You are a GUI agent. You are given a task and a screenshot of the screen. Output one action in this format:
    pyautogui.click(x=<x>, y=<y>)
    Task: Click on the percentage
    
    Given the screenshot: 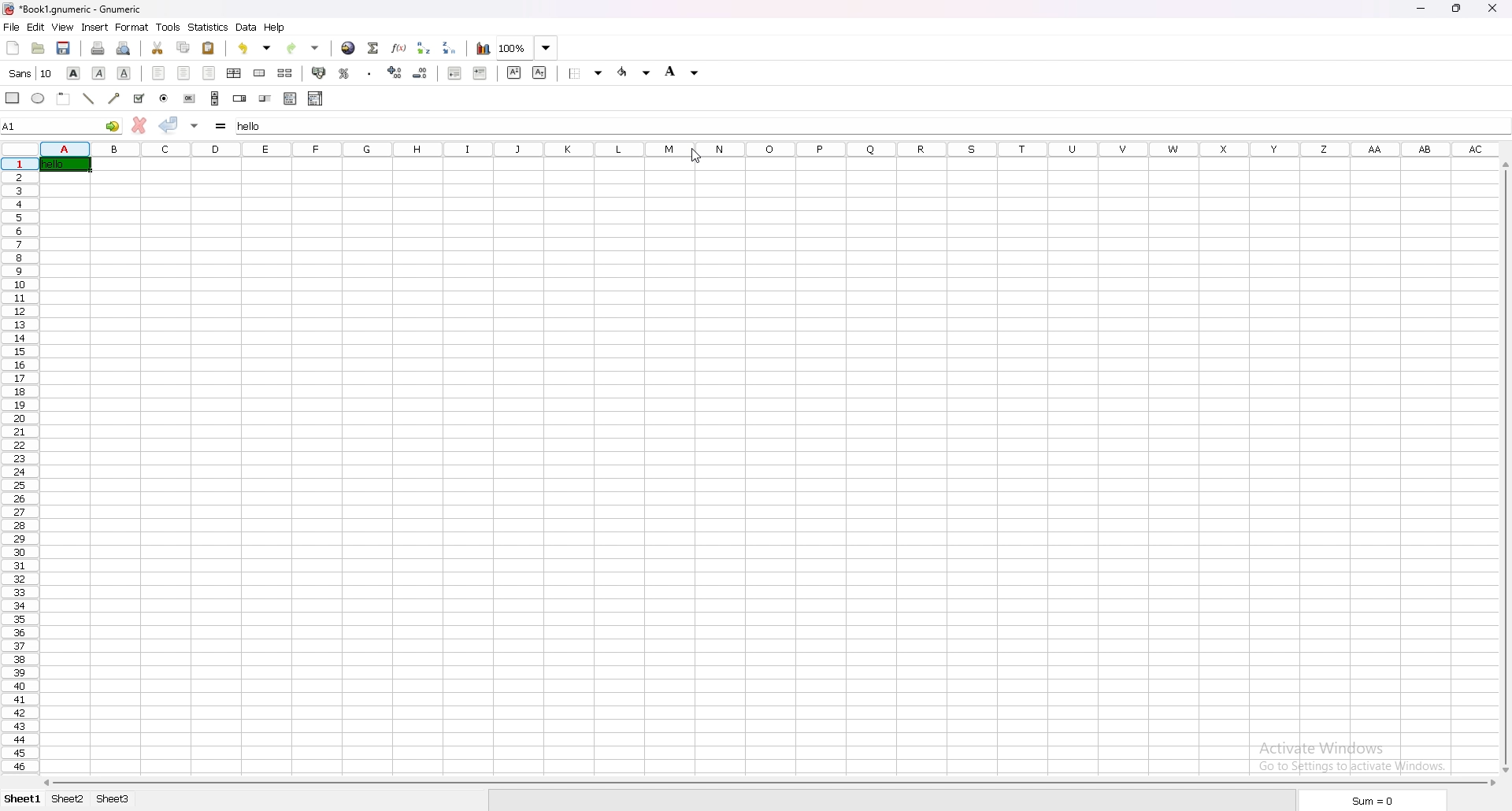 What is the action you would take?
    pyautogui.click(x=344, y=72)
    